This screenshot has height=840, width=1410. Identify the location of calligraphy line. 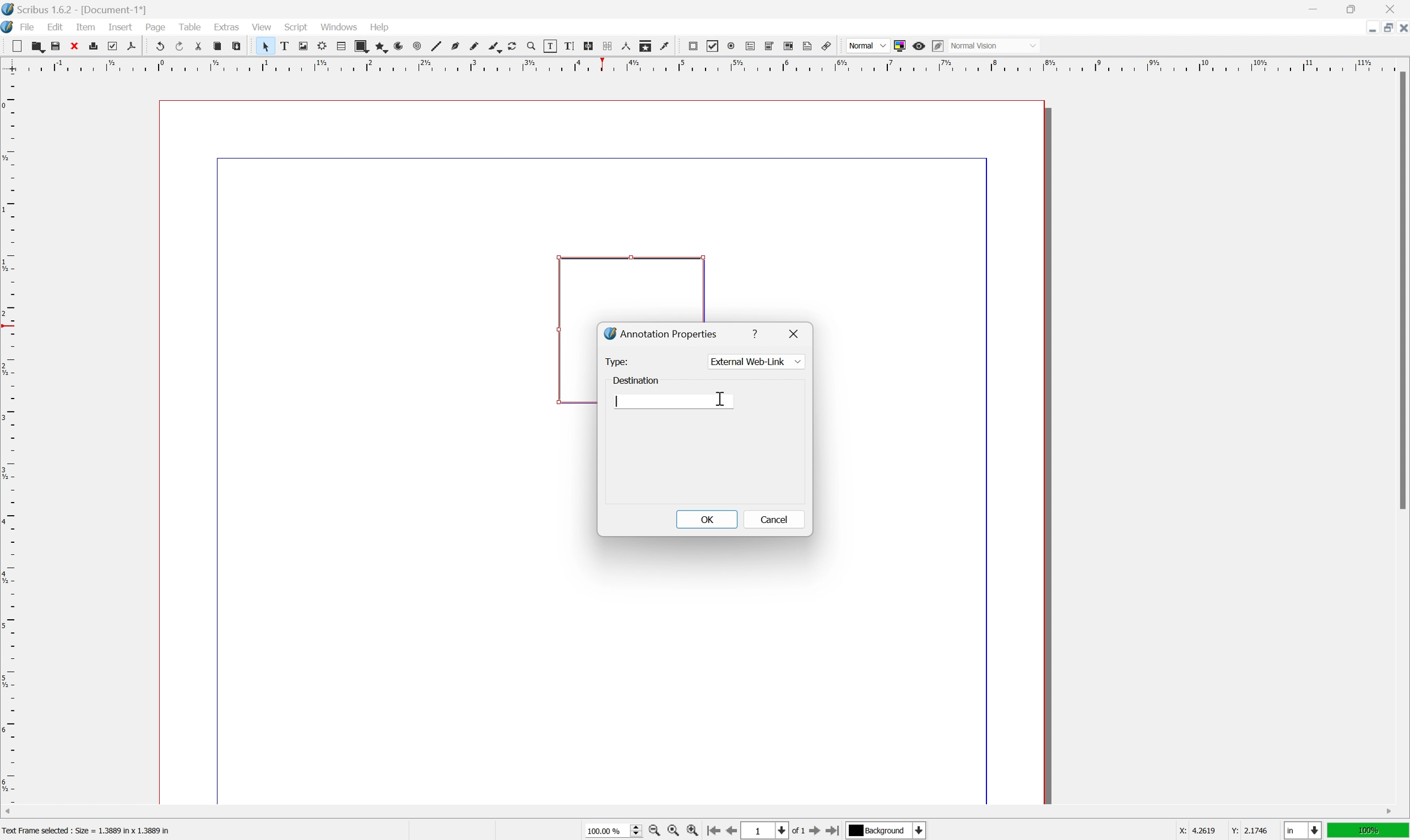
(494, 46).